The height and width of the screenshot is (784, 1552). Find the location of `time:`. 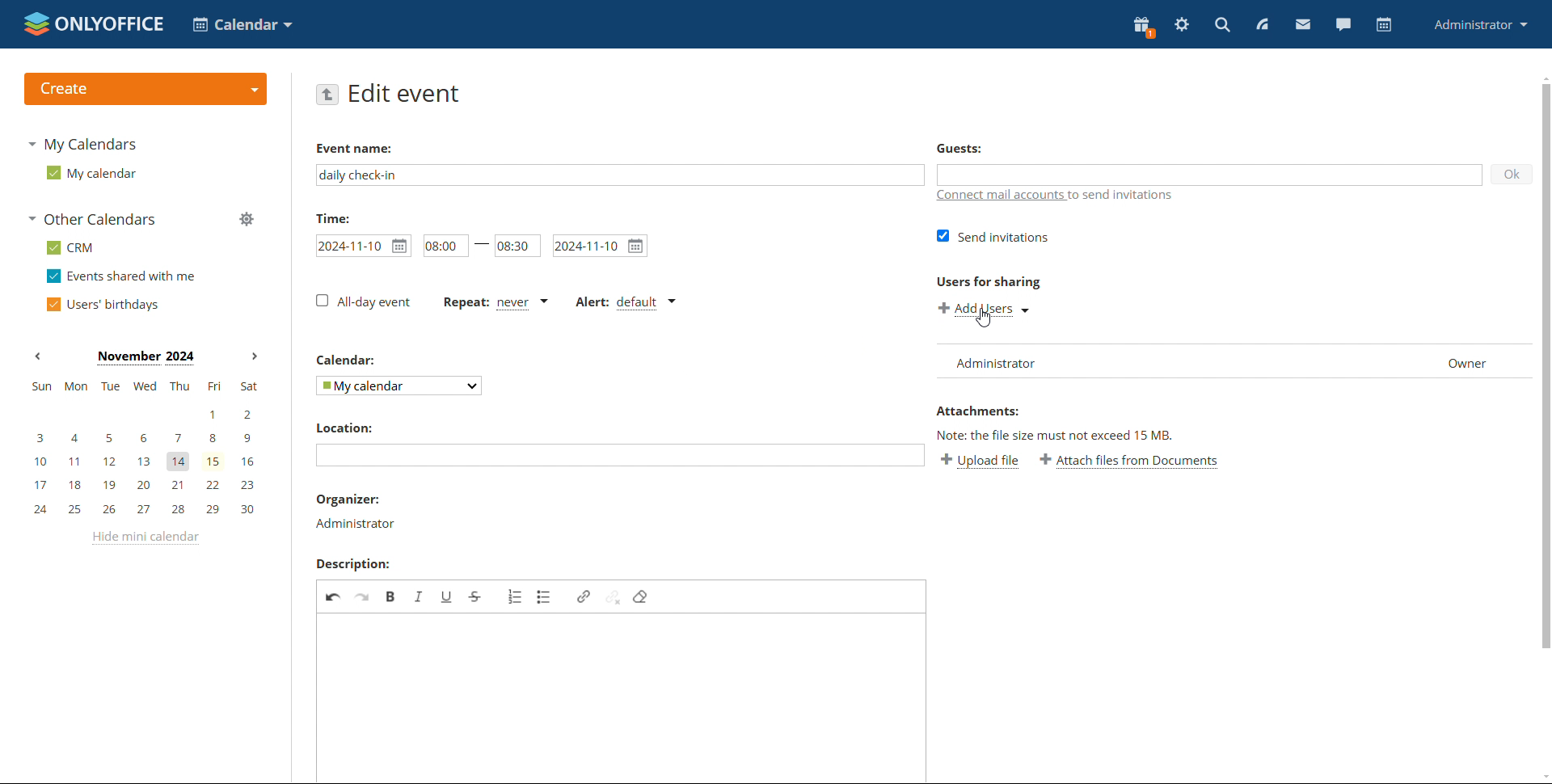

time: is located at coordinates (332, 217).